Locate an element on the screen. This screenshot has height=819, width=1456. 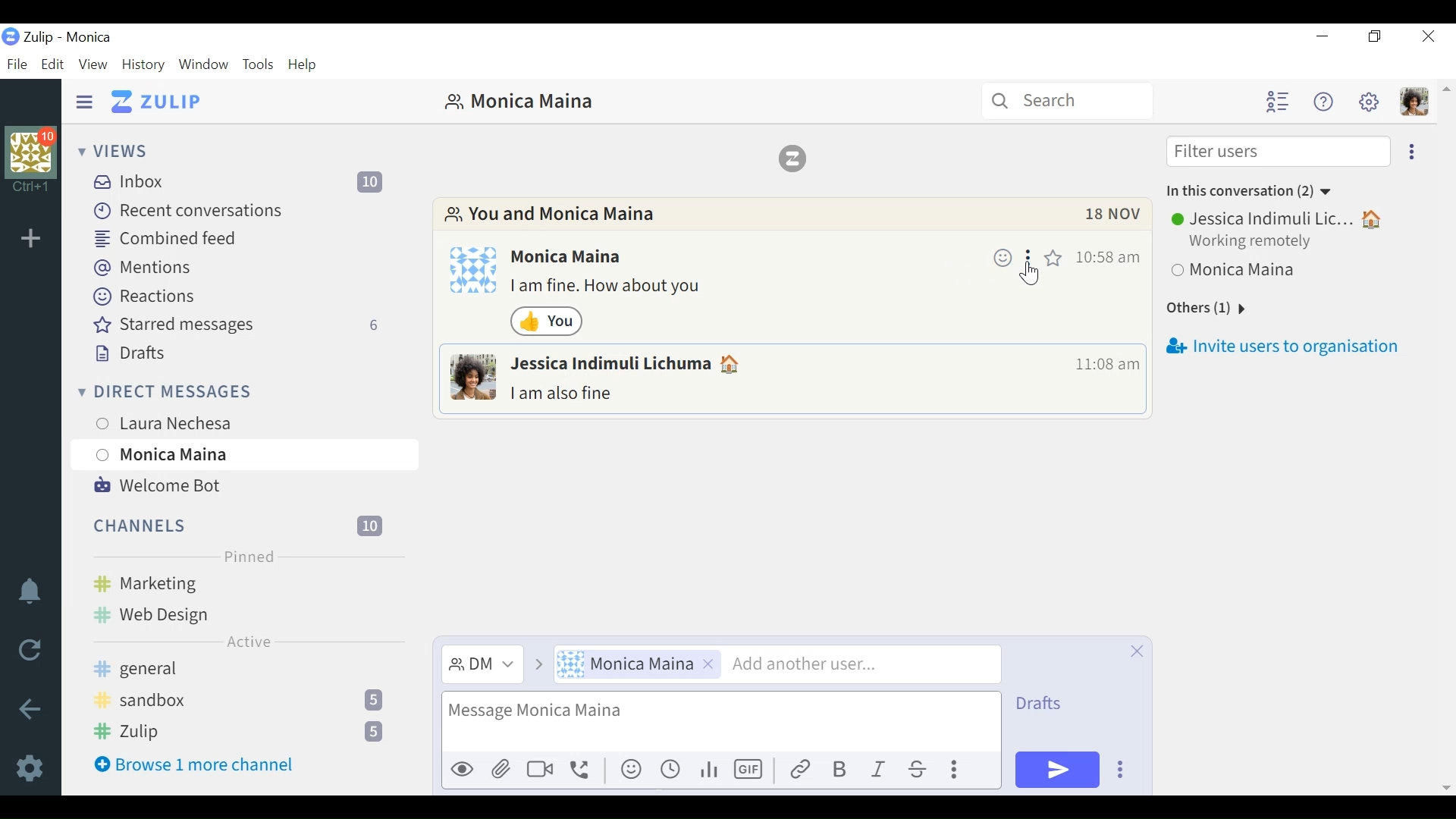
Edit is located at coordinates (53, 64).